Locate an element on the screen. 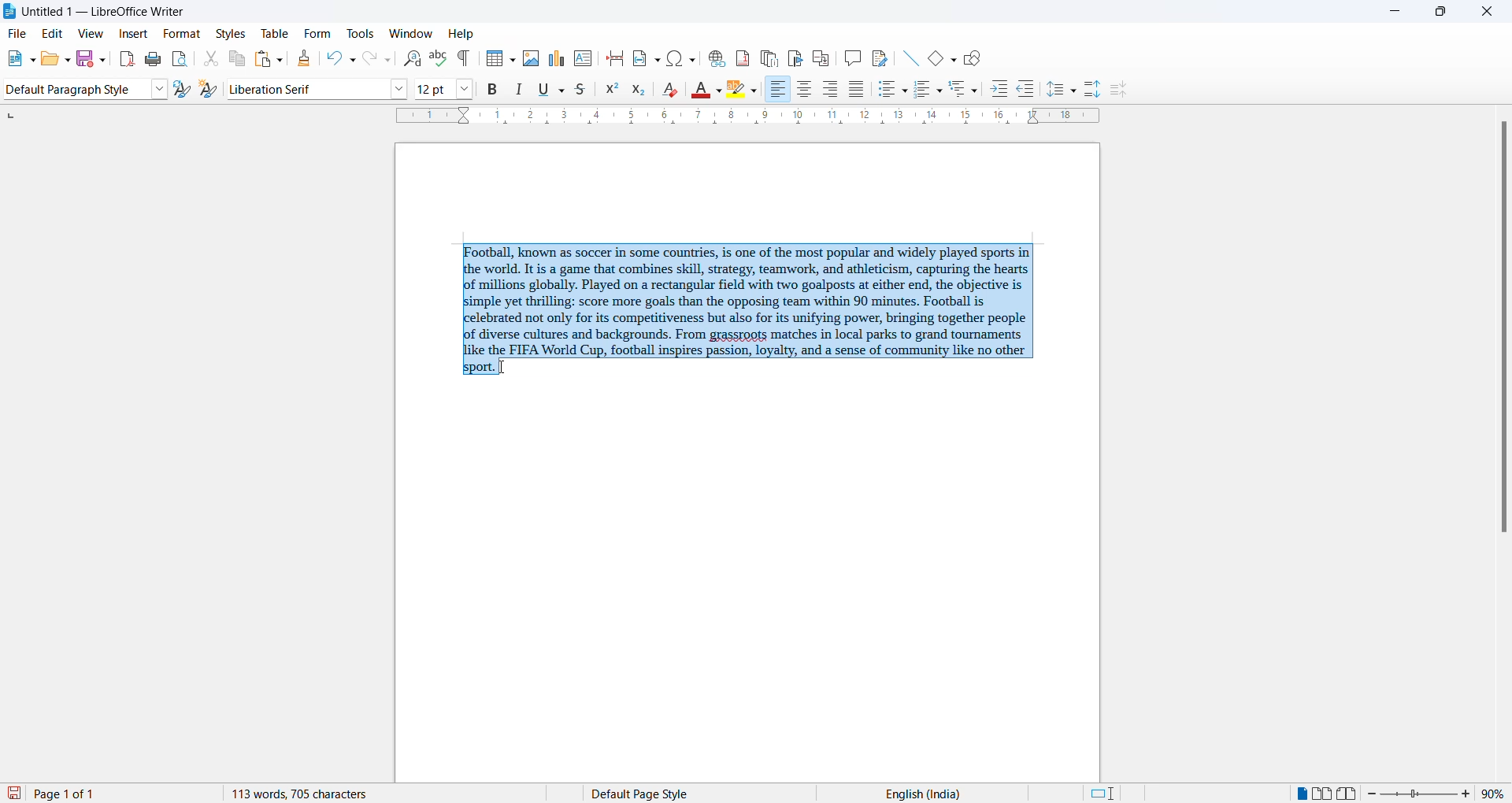  underline options is located at coordinates (561, 90).